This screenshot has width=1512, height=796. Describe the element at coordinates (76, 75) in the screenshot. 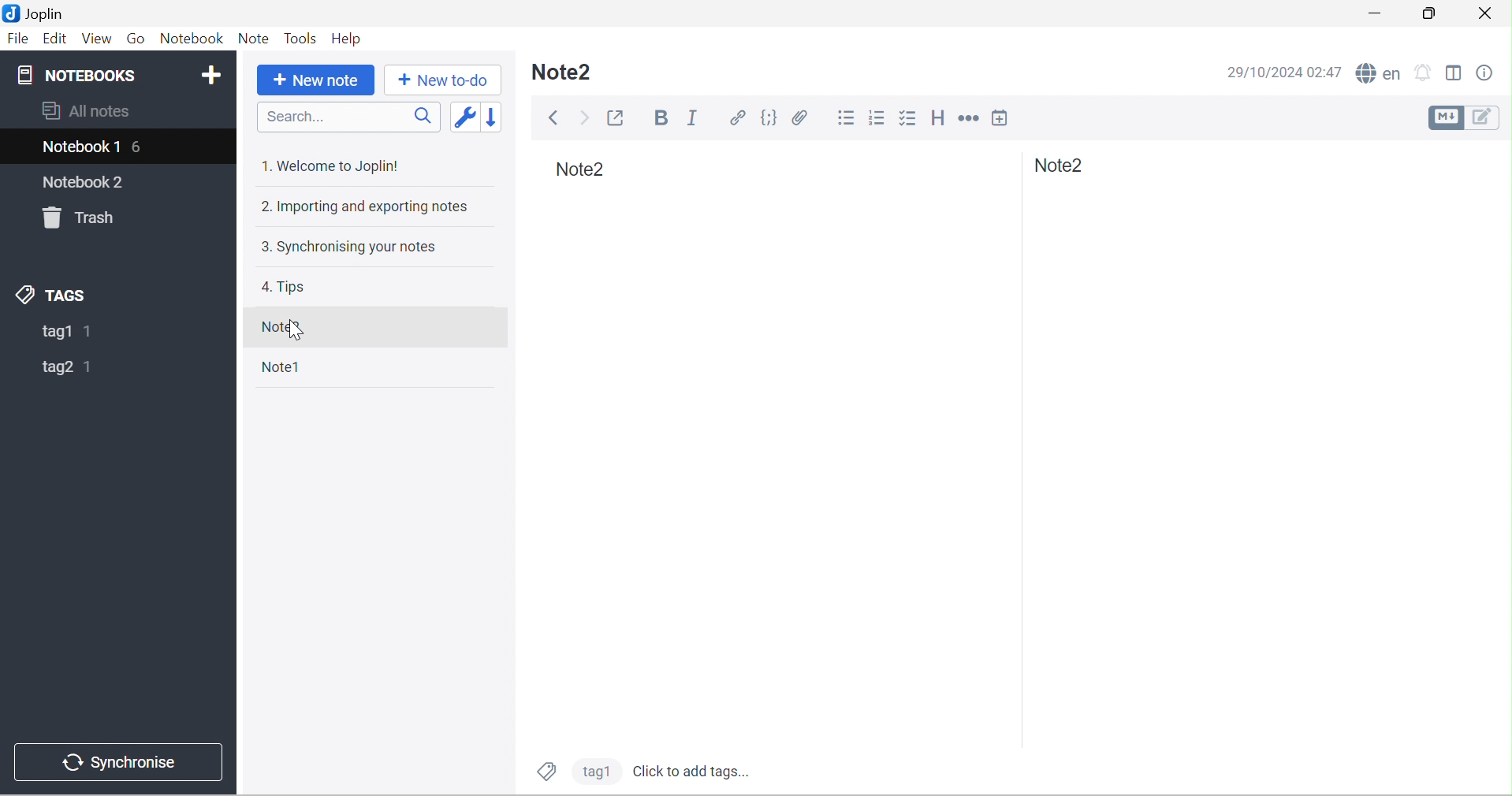

I see `NOTEBOOKS` at that location.